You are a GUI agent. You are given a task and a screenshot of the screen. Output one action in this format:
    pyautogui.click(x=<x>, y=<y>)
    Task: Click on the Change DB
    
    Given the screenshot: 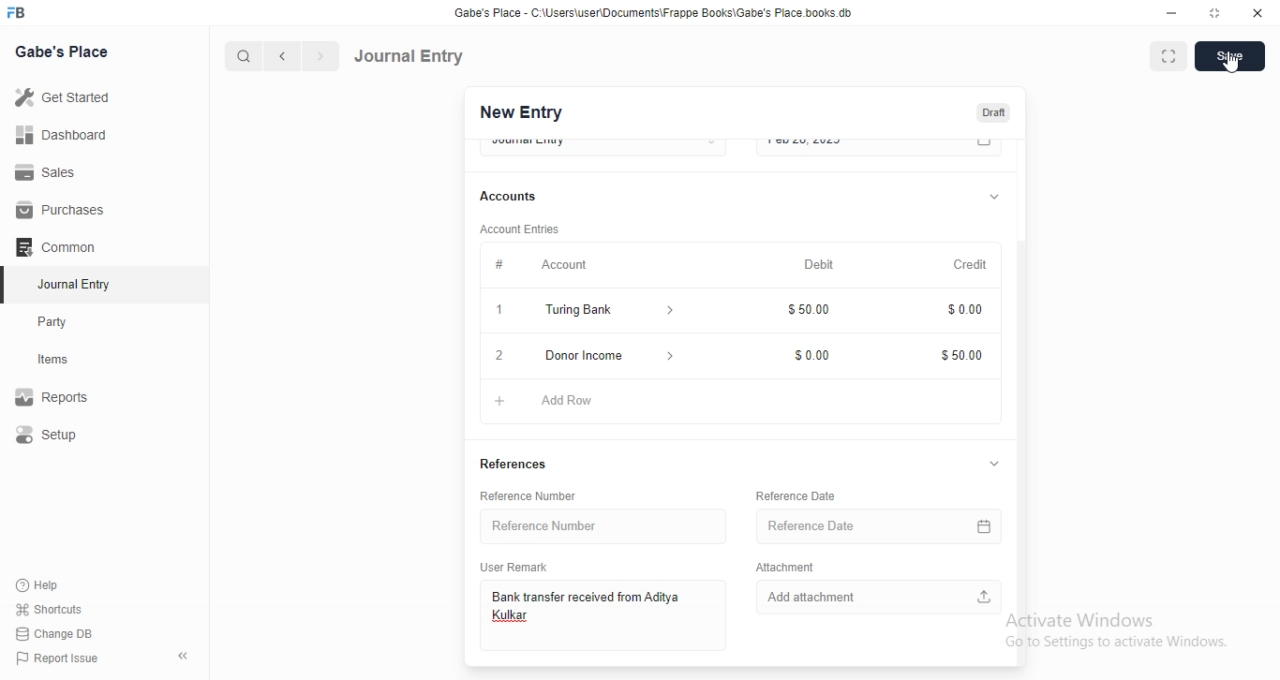 What is the action you would take?
    pyautogui.click(x=60, y=633)
    